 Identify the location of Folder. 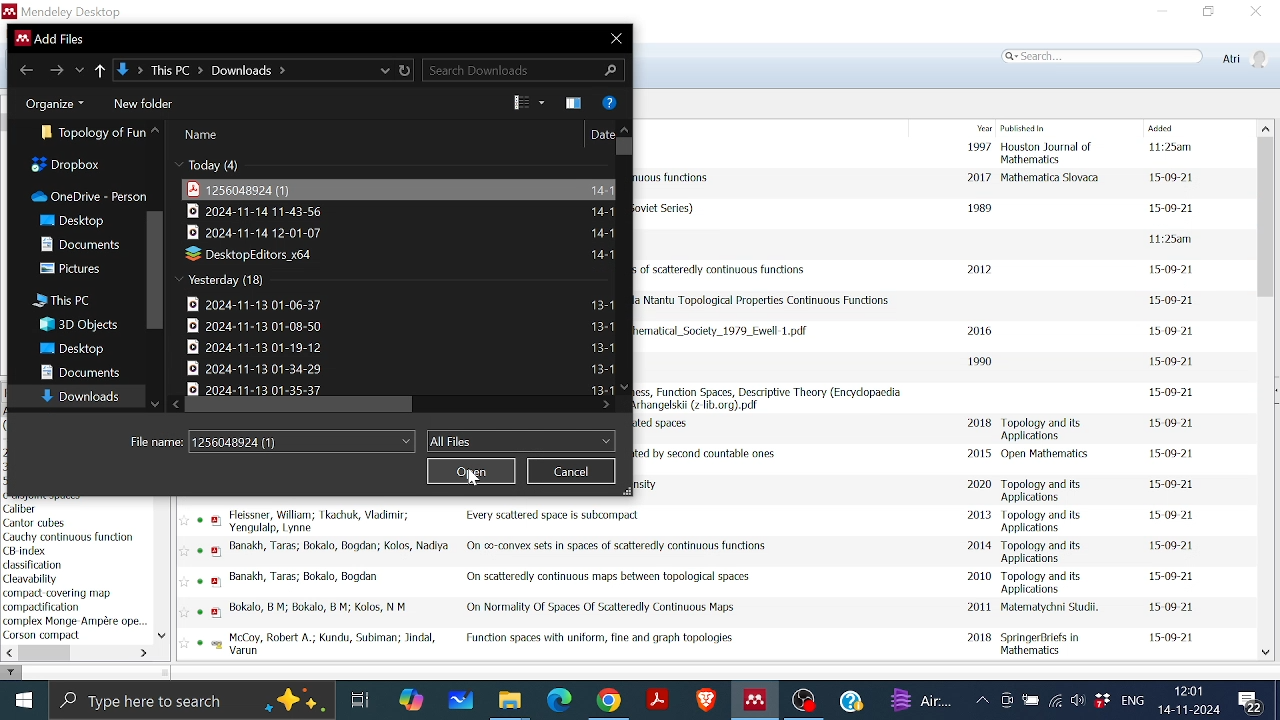
(92, 131).